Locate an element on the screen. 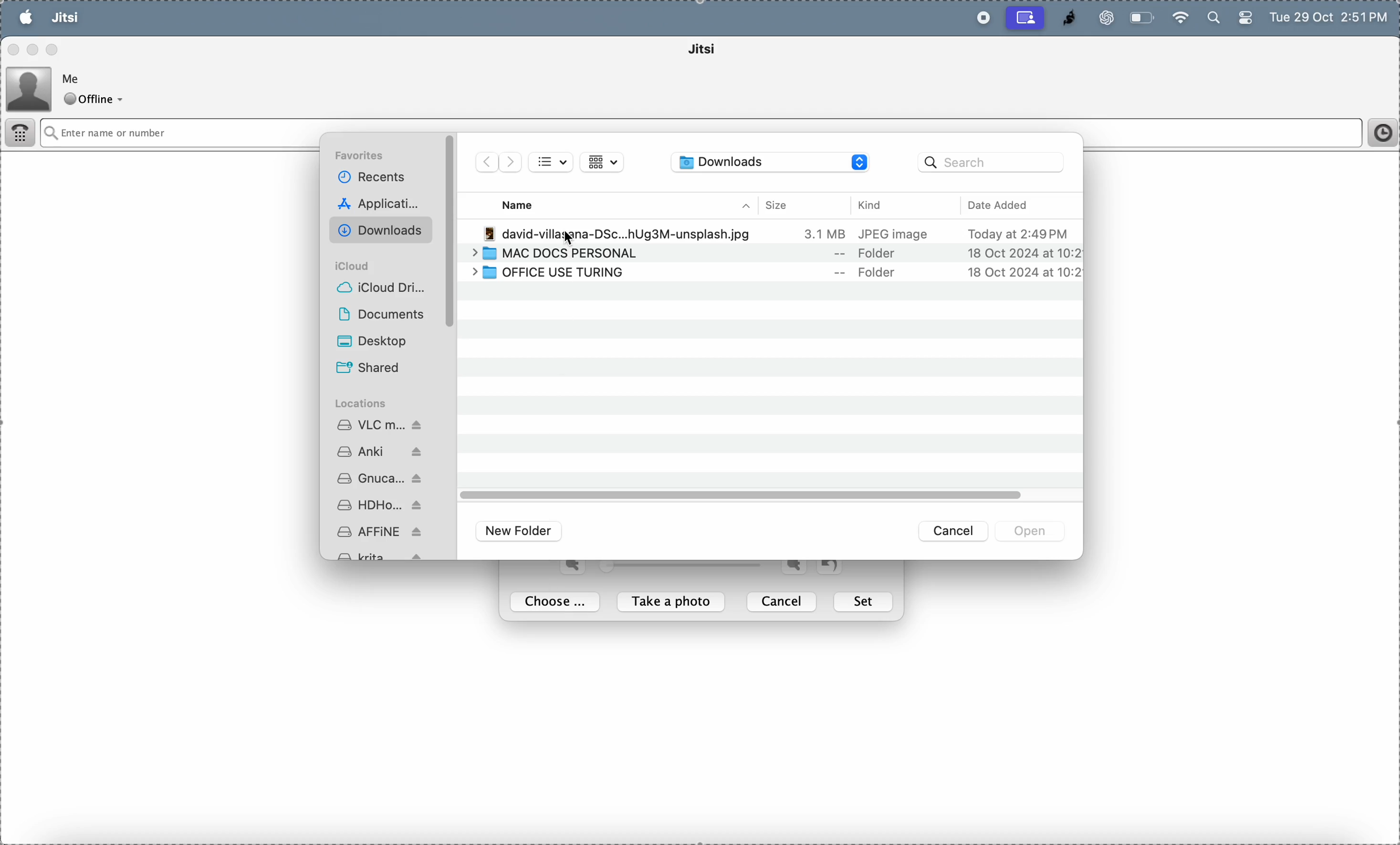 Image resolution: width=1400 pixels, height=845 pixels. file is located at coordinates (108, 18).